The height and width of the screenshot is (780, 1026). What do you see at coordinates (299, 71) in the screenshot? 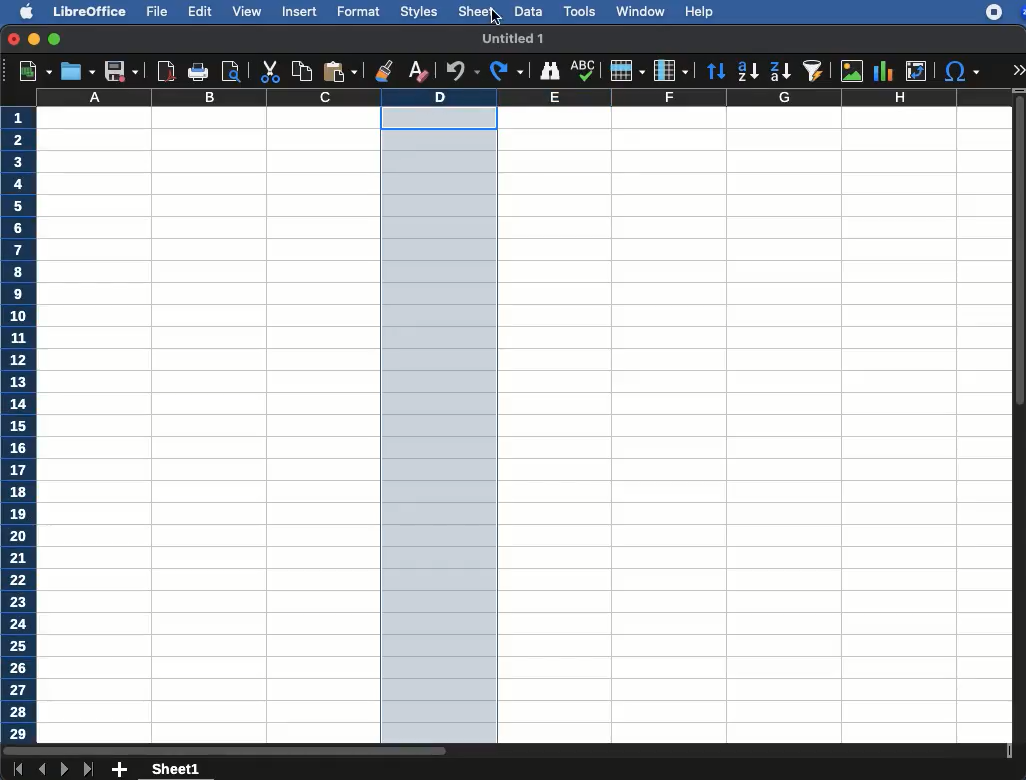
I see `copy` at bounding box center [299, 71].